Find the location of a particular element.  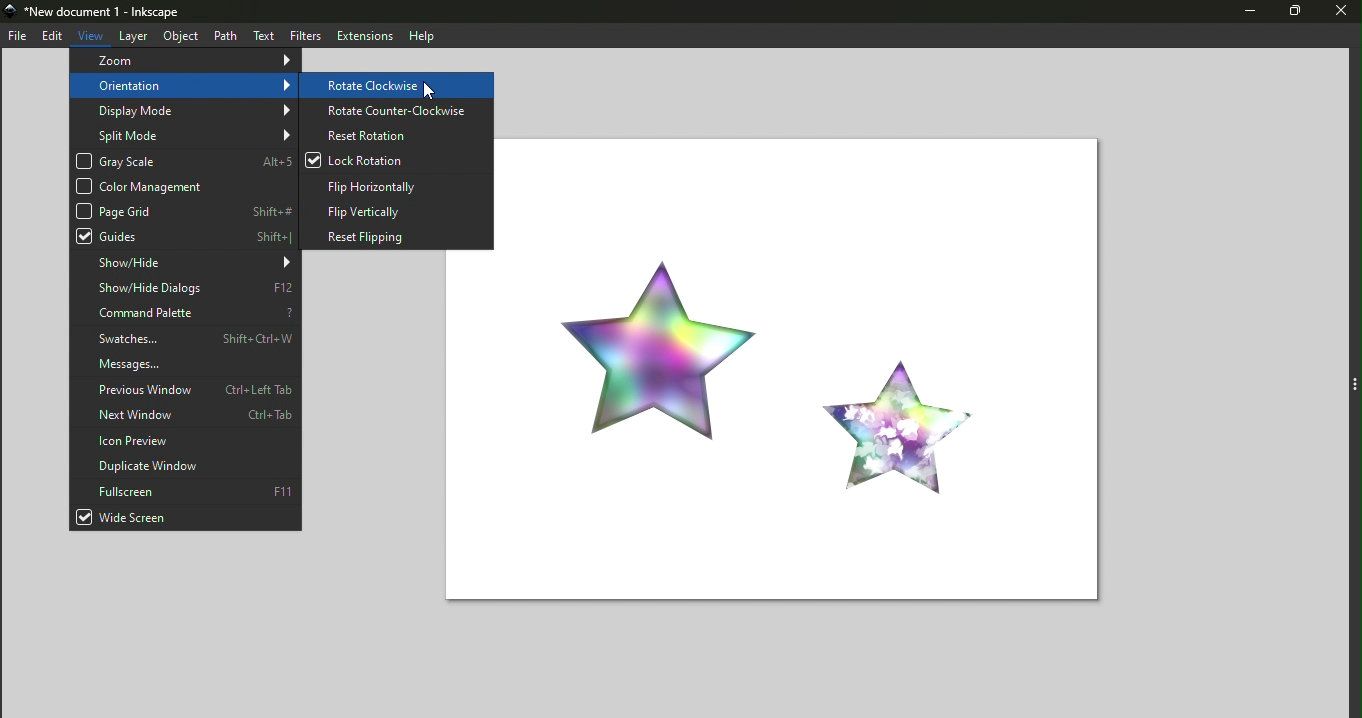

Path is located at coordinates (224, 35).